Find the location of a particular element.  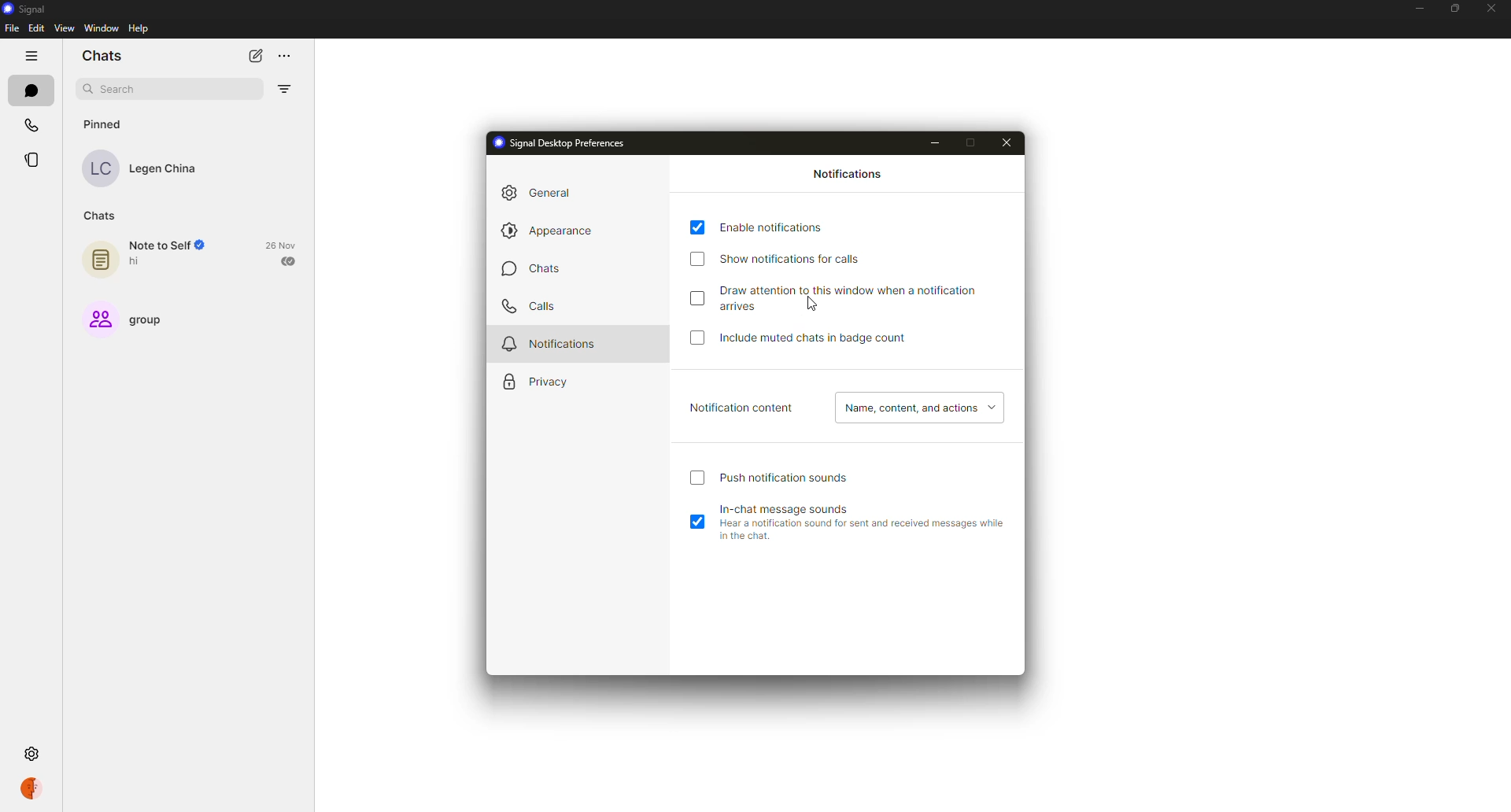

general is located at coordinates (541, 193).